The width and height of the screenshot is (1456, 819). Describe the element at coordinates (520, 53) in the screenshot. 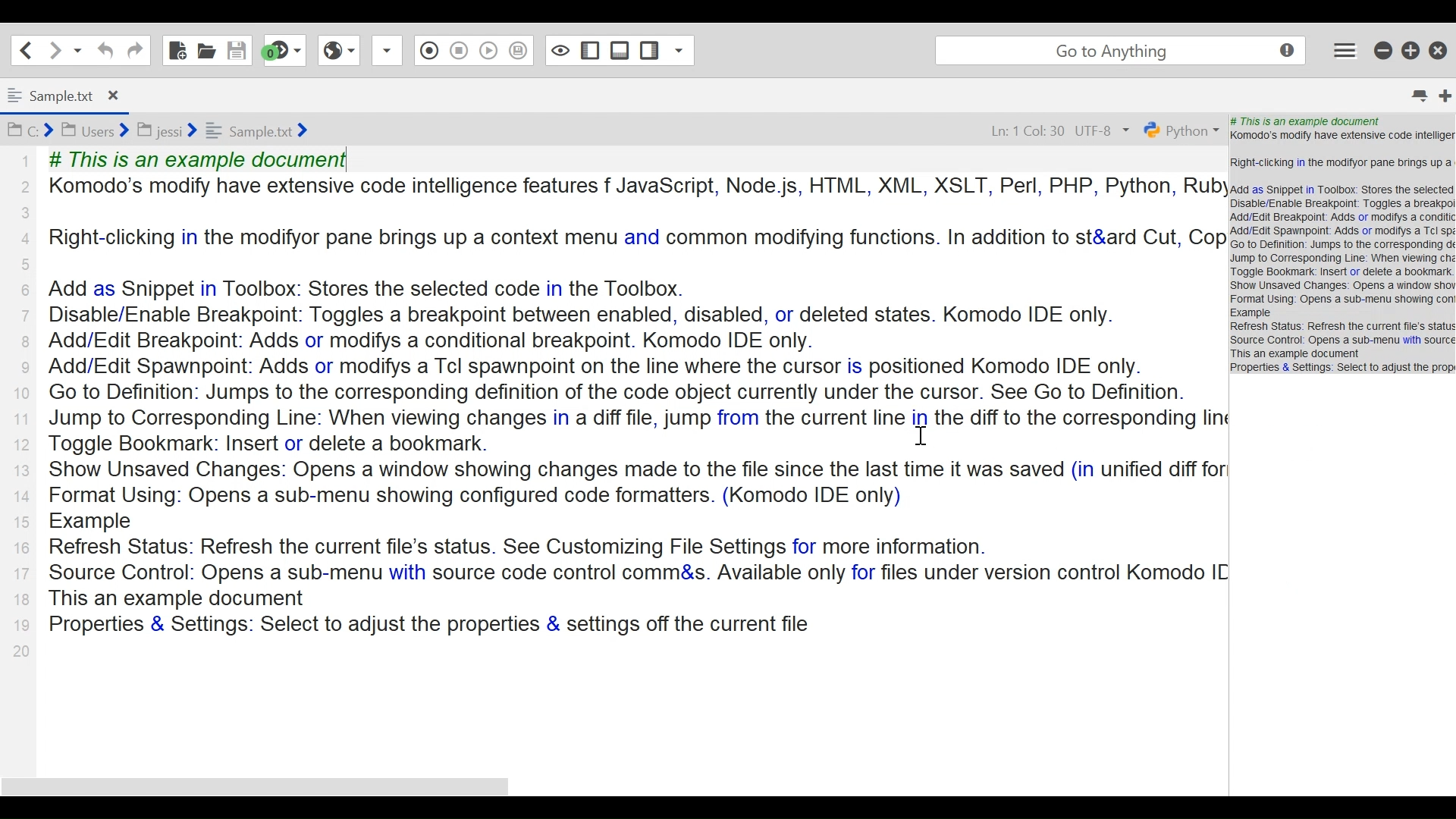

I see `Toggle Focus mode` at that location.